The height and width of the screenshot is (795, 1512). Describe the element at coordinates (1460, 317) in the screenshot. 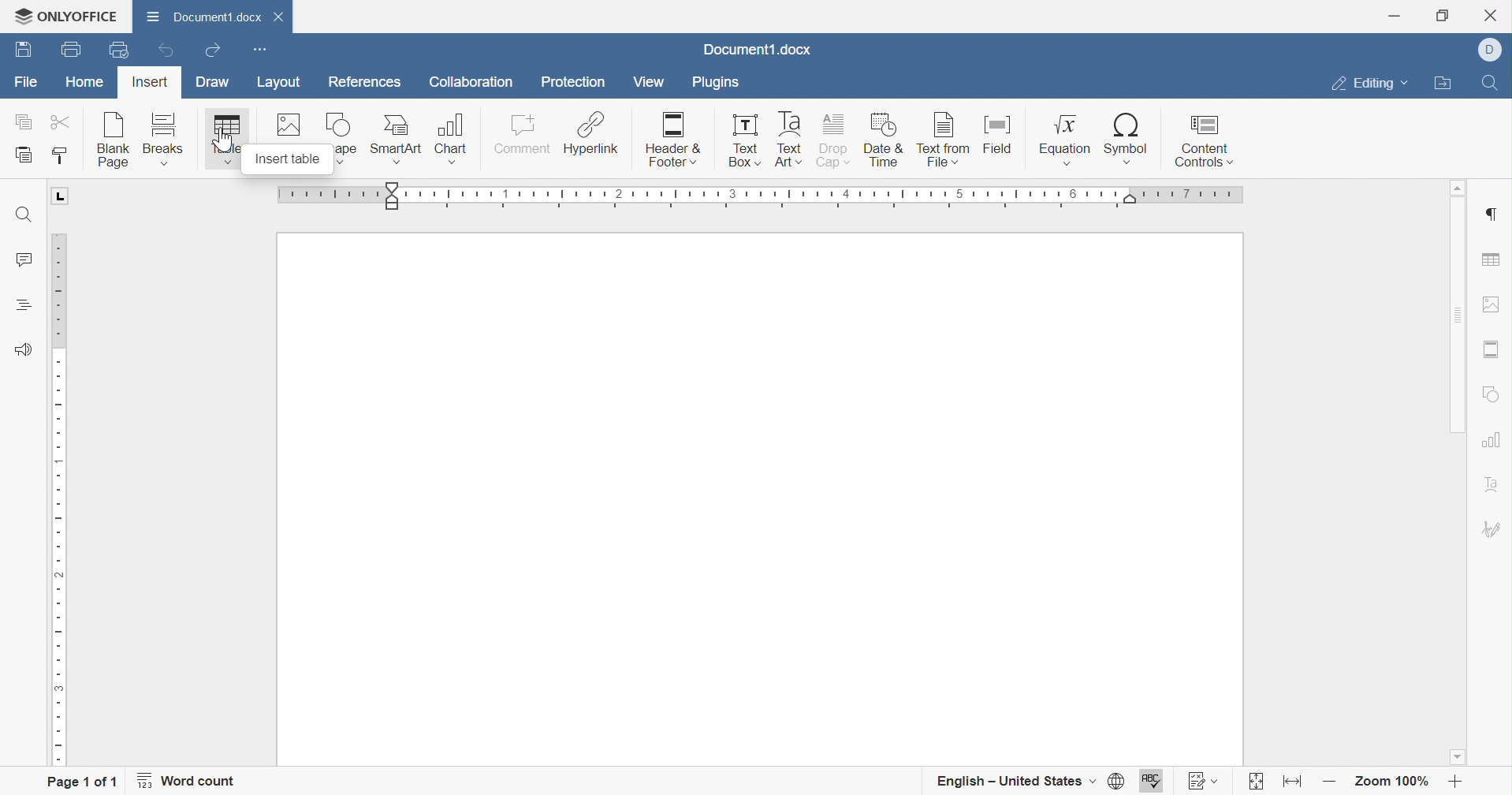

I see `Scroll bar` at that location.